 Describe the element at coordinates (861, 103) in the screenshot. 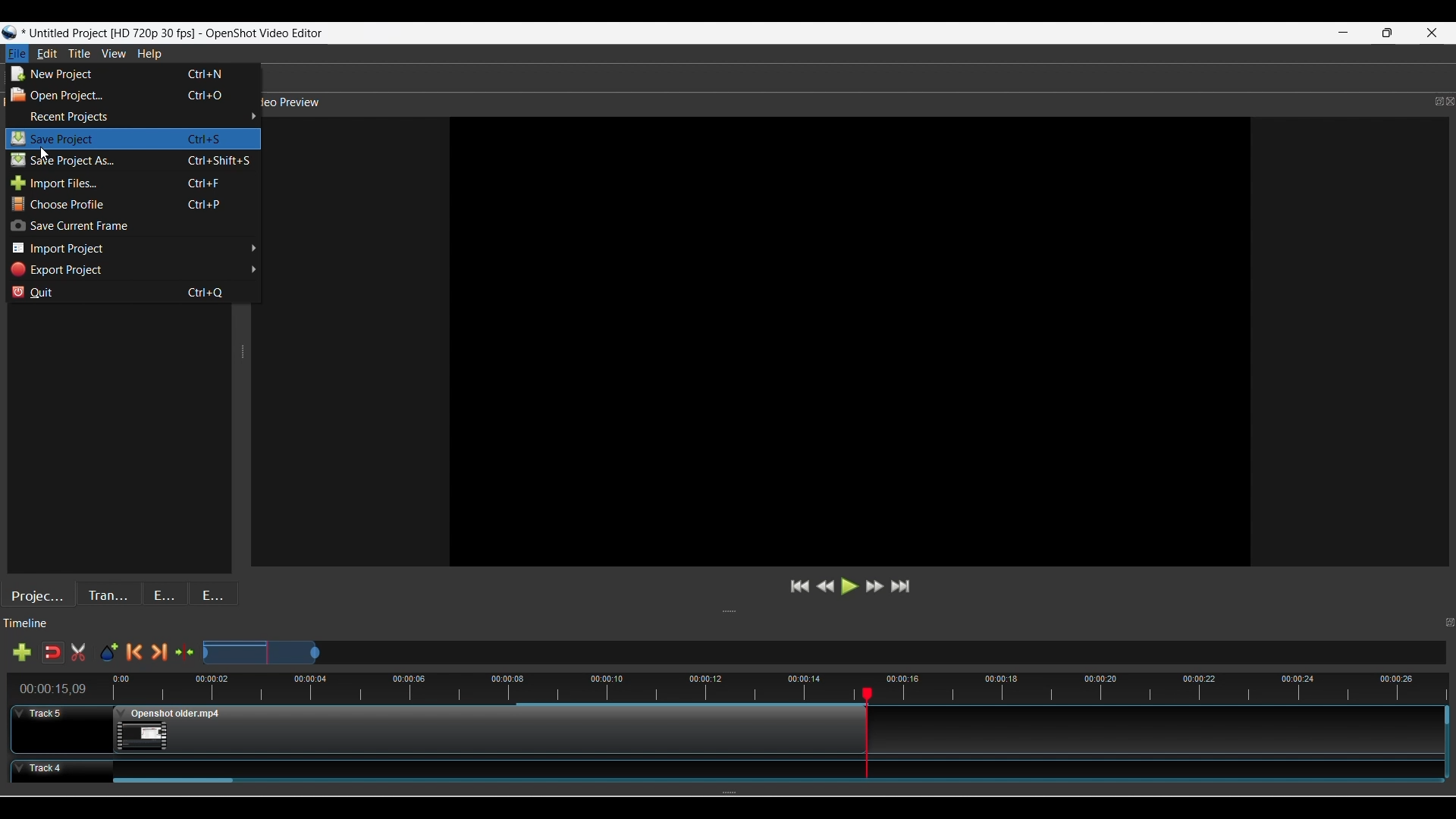

I see `Video Preview` at that location.